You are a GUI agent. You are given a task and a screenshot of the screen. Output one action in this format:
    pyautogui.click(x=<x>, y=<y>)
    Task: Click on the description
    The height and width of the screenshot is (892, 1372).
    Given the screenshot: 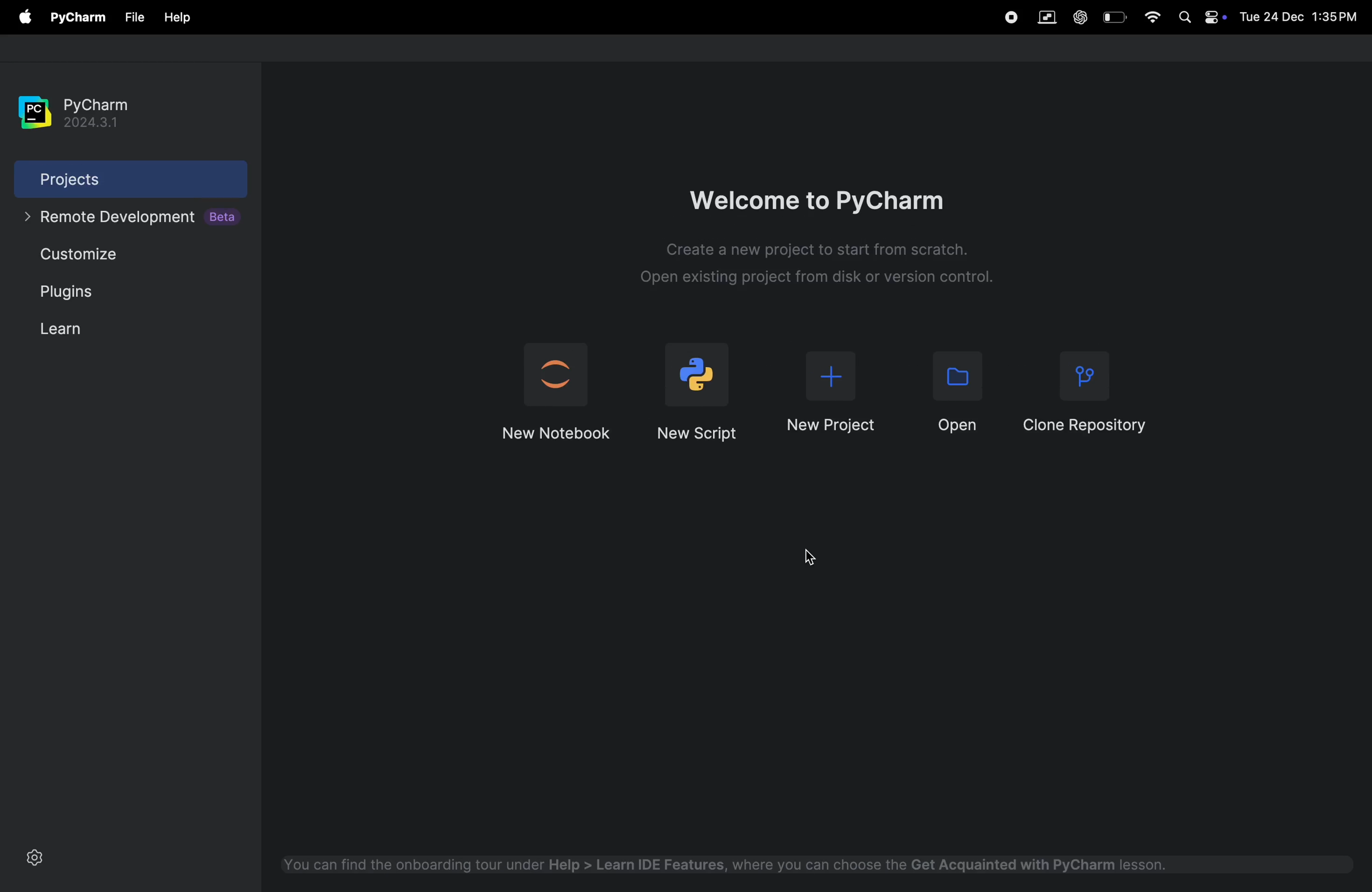 What is the action you would take?
    pyautogui.click(x=819, y=269)
    